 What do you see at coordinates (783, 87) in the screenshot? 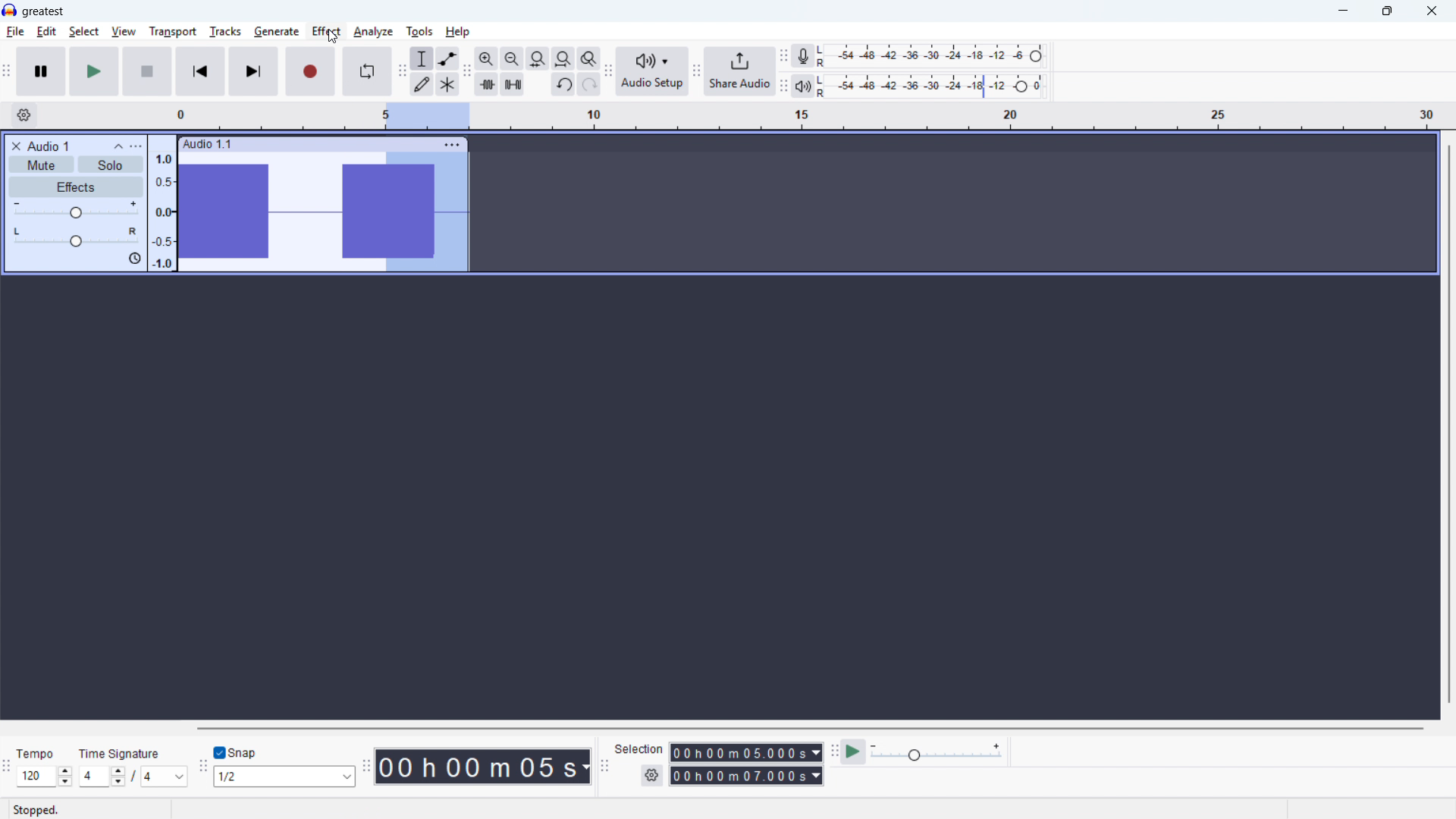
I see `Playback metre toolbar ` at bounding box center [783, 87].